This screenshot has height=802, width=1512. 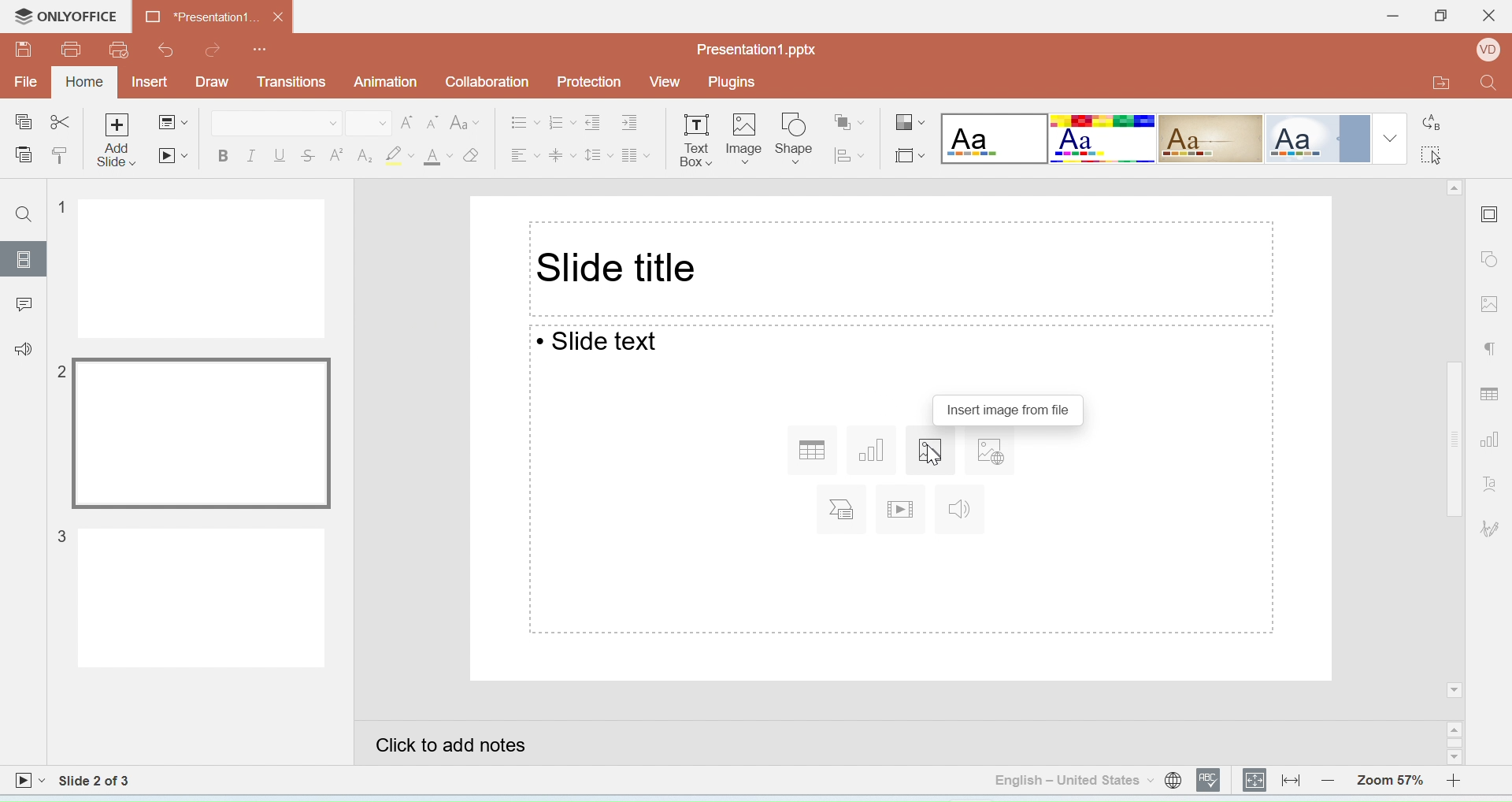 I want to click on Insert image, so click(x=745, y=141).